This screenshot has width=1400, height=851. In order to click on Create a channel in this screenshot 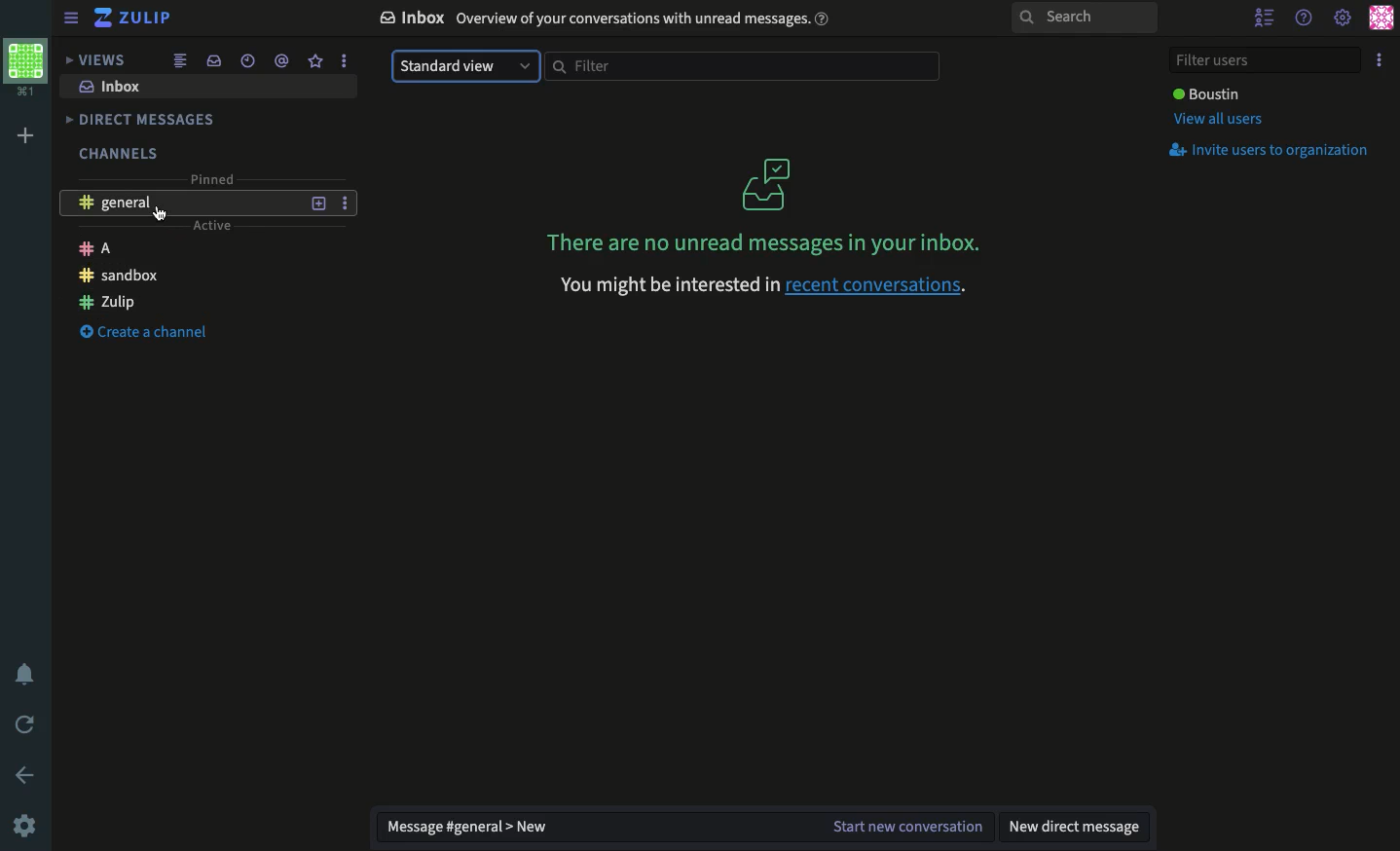, I will do `click(144, 333)`.